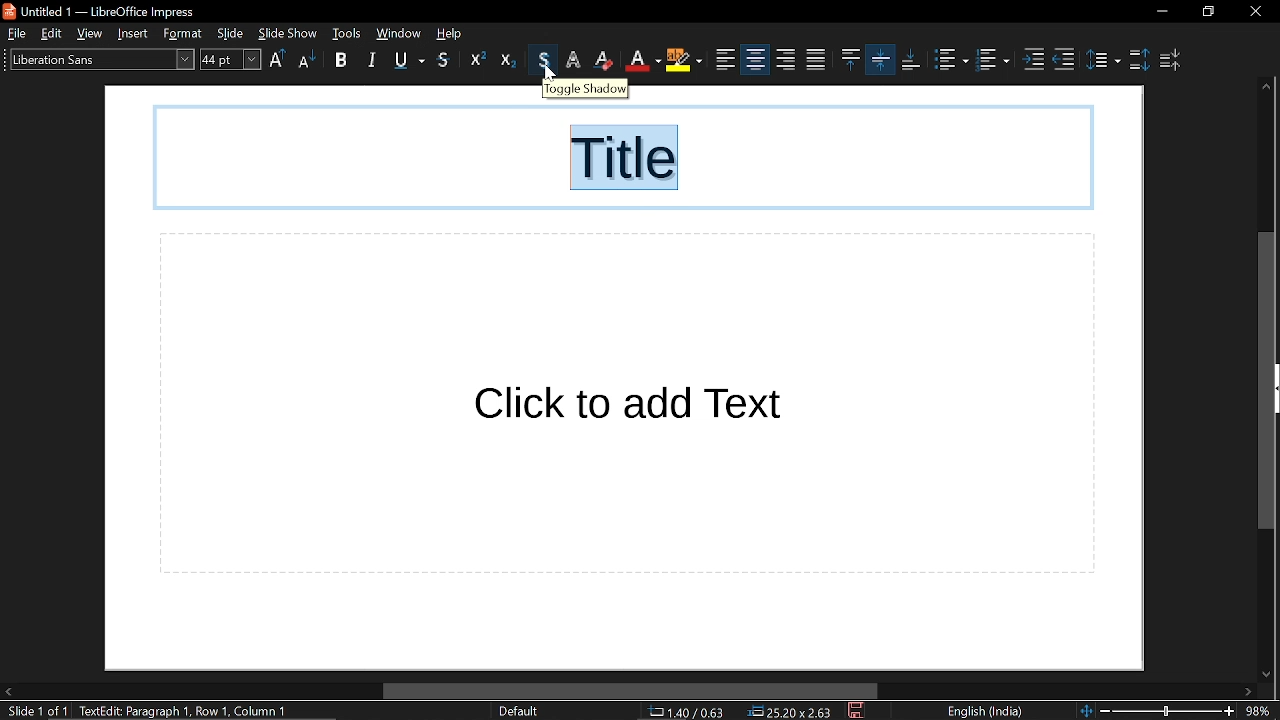  Describe the element at coordinates (103, 10) in the screenshot. I see `untitled 1 - libreoffice impress` at that location.